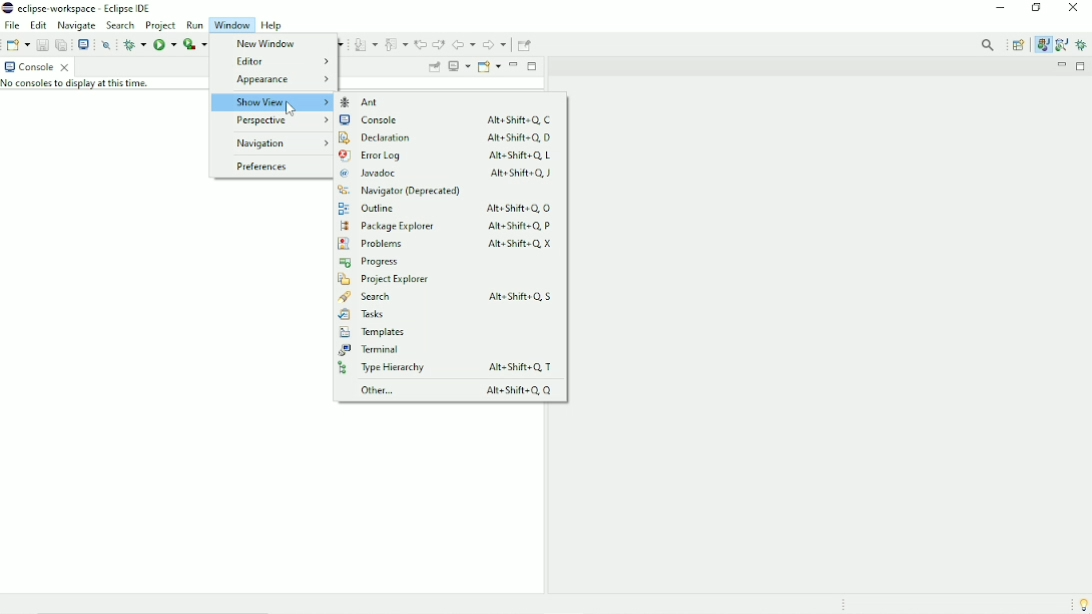  Describe the element at coordinates (161, 25) in the screenshot. I see `Project` at that location.